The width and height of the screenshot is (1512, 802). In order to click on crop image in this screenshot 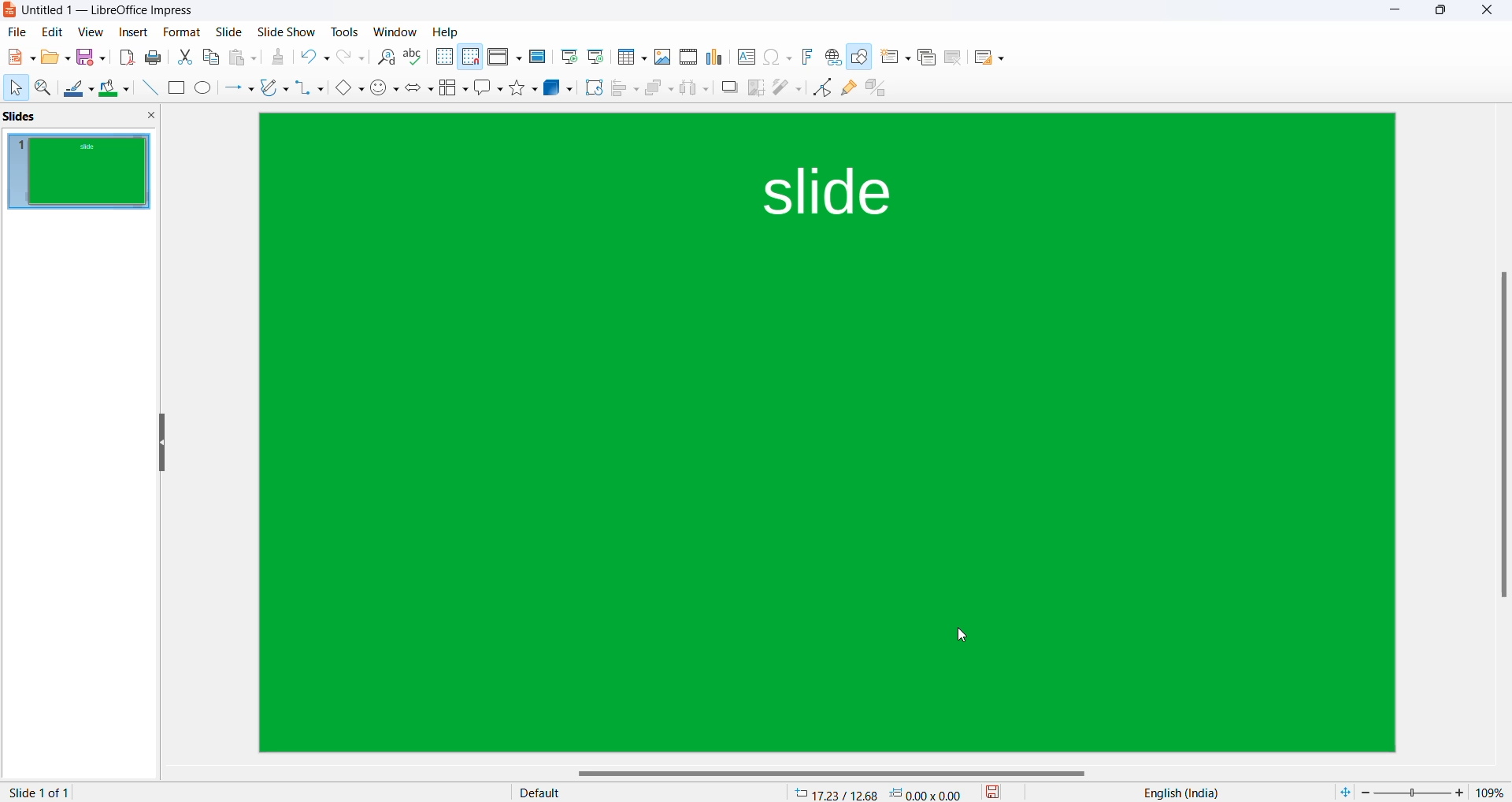, I will do `click(757, 87)`.